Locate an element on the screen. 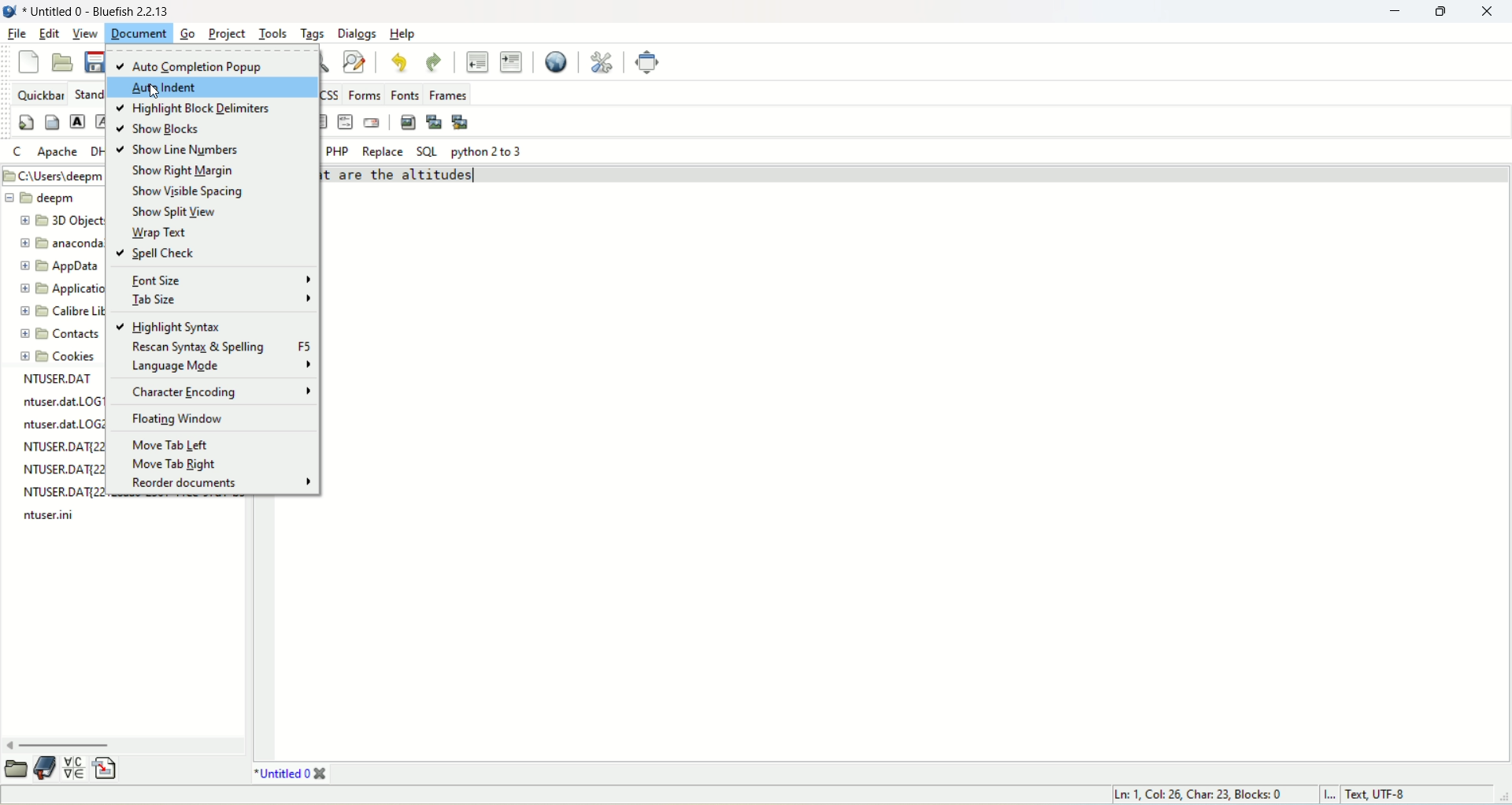  text, UTF-8 is located at coordinates (1393, 796).